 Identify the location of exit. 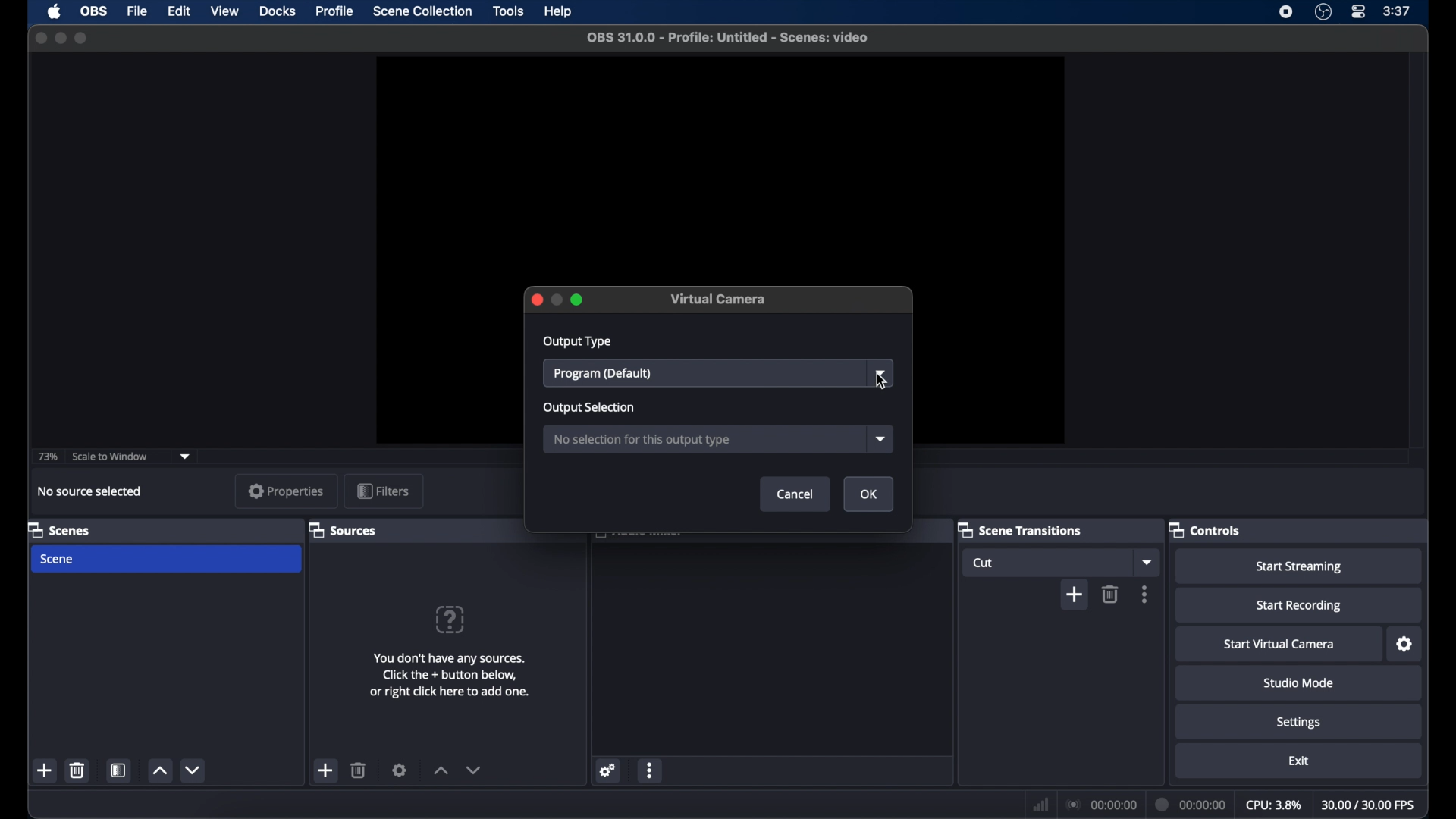
(1298, 761).